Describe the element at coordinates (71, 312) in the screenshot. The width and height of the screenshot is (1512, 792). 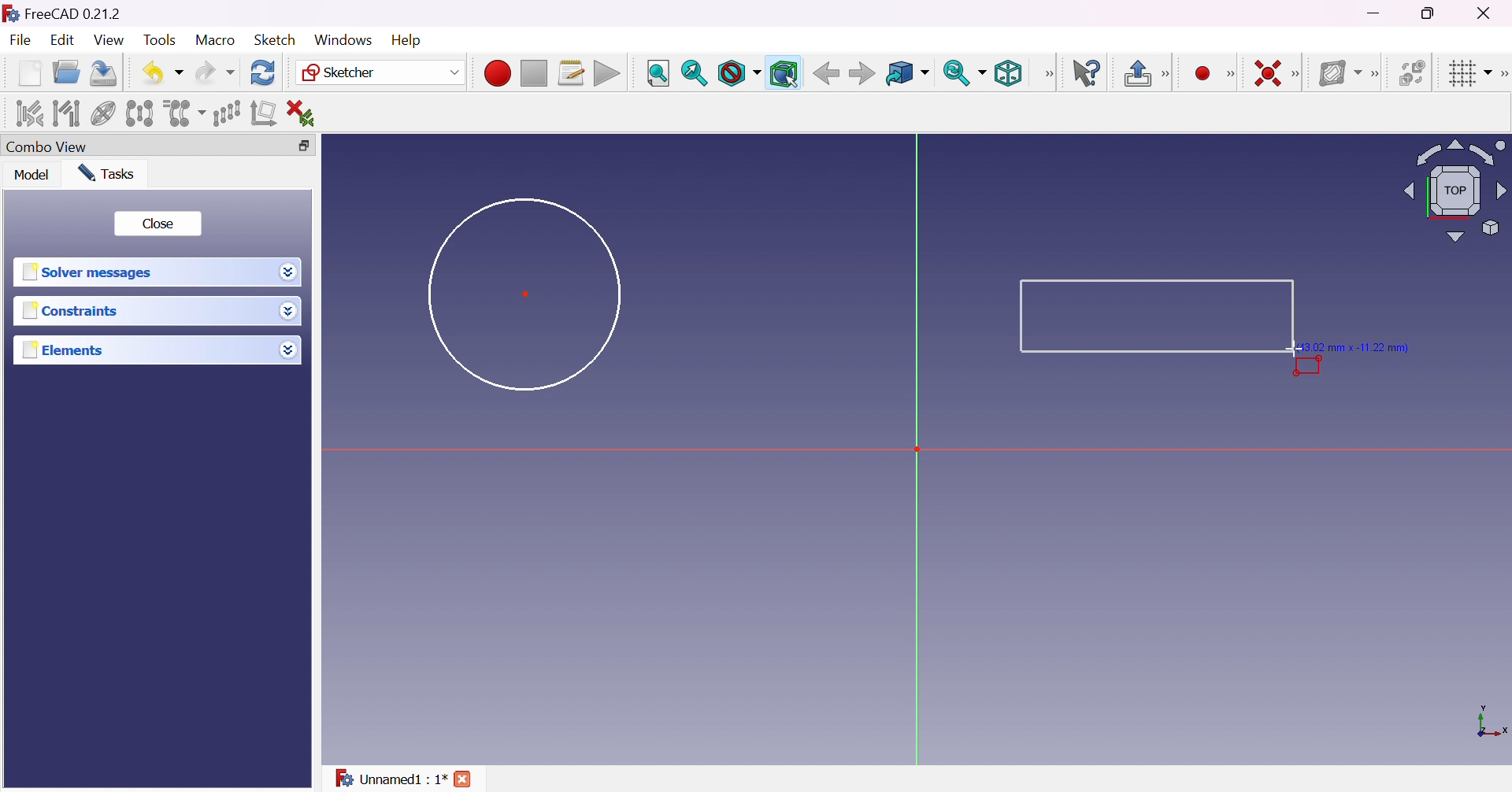
I see `Constraints` at that location.